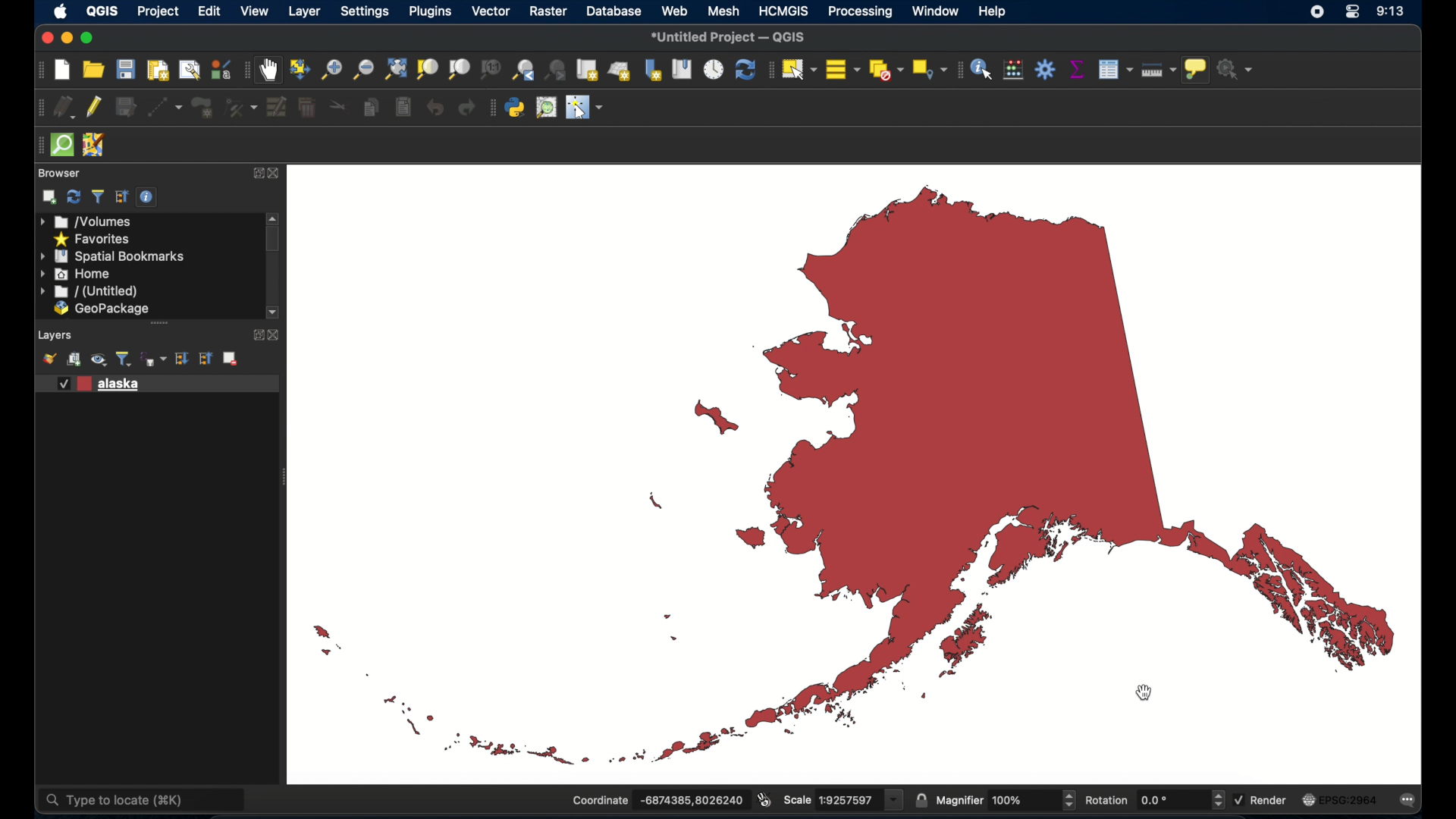  Describe the element at coordinates (126, 107) in the screenshot. I see `save edits` at that location.